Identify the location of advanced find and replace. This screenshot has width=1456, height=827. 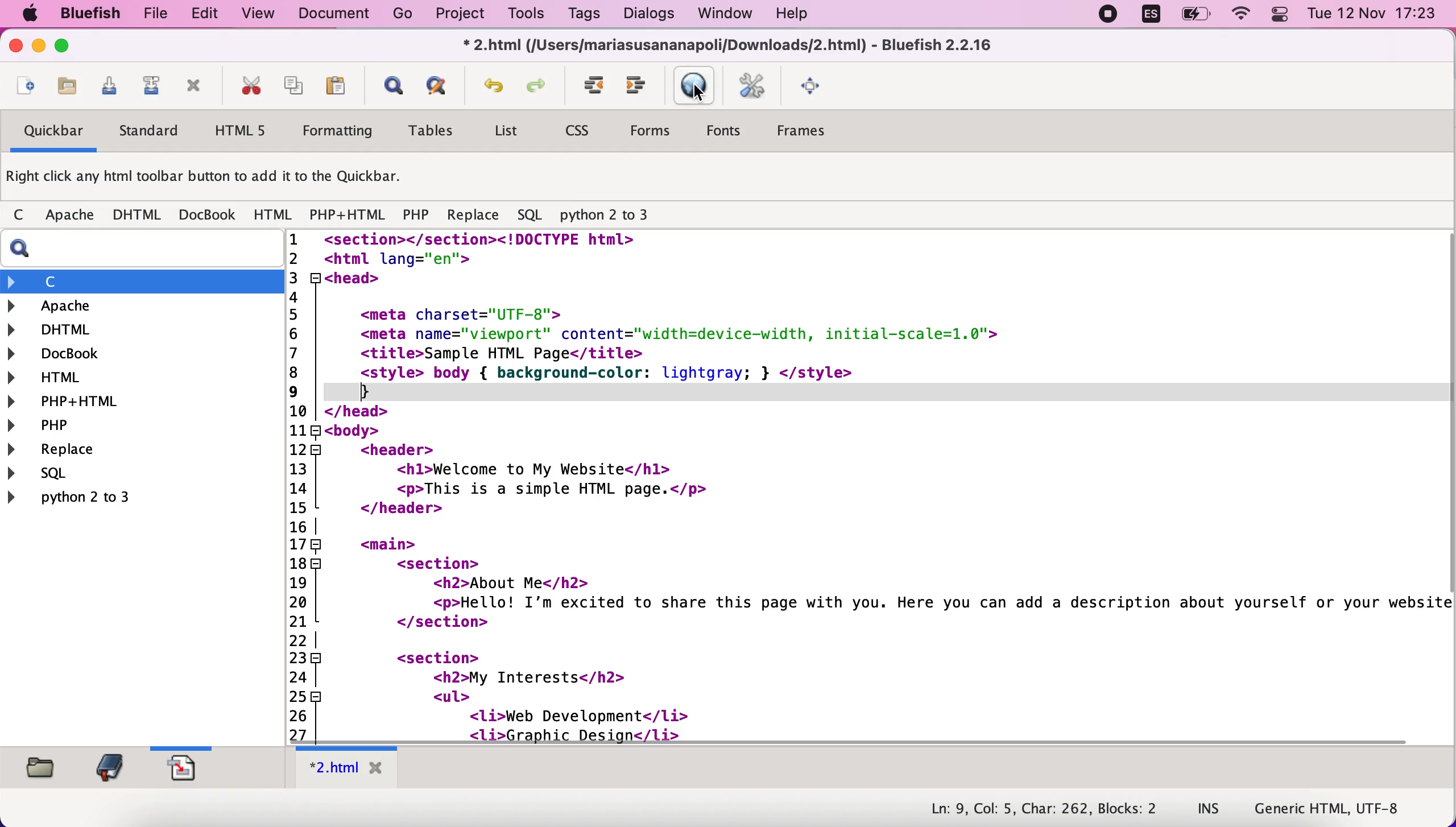
(444, 85).